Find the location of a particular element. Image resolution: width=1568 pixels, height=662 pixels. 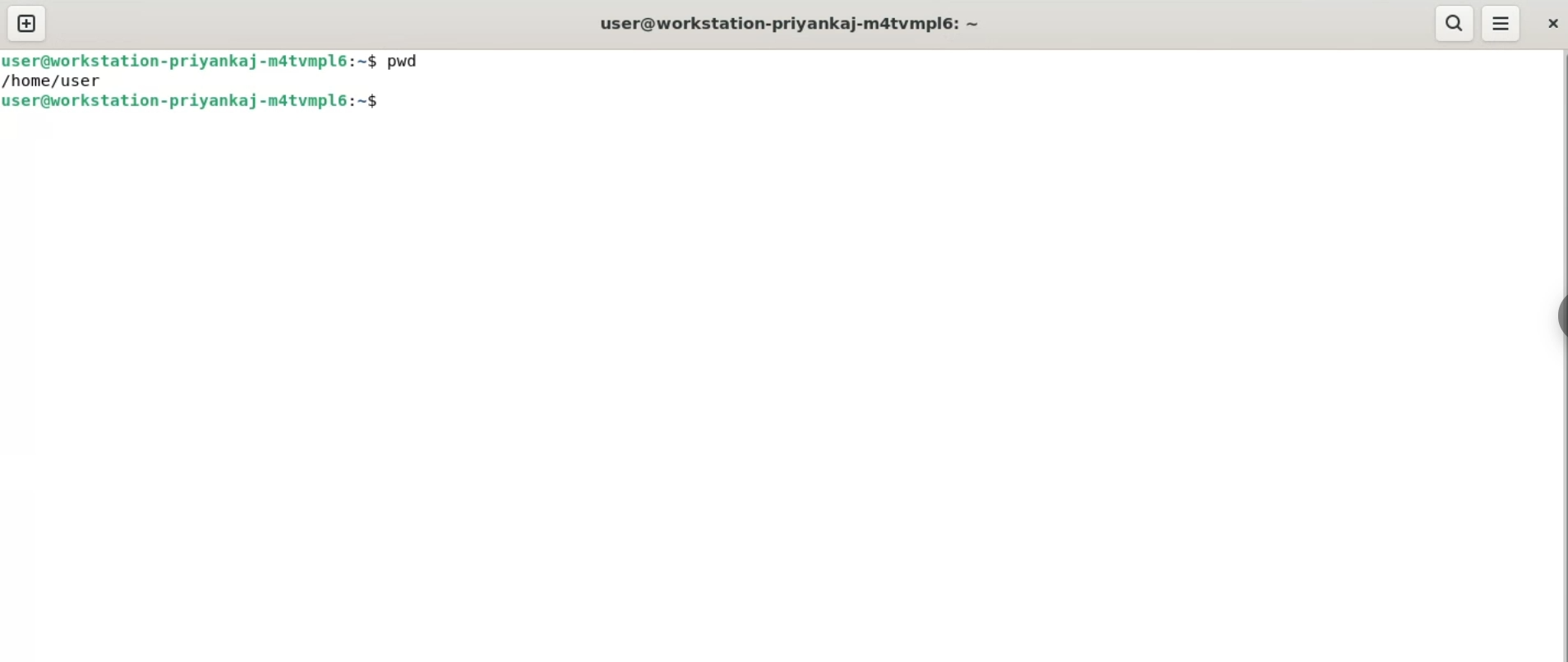

pwd is located at coordinates (409, 61).